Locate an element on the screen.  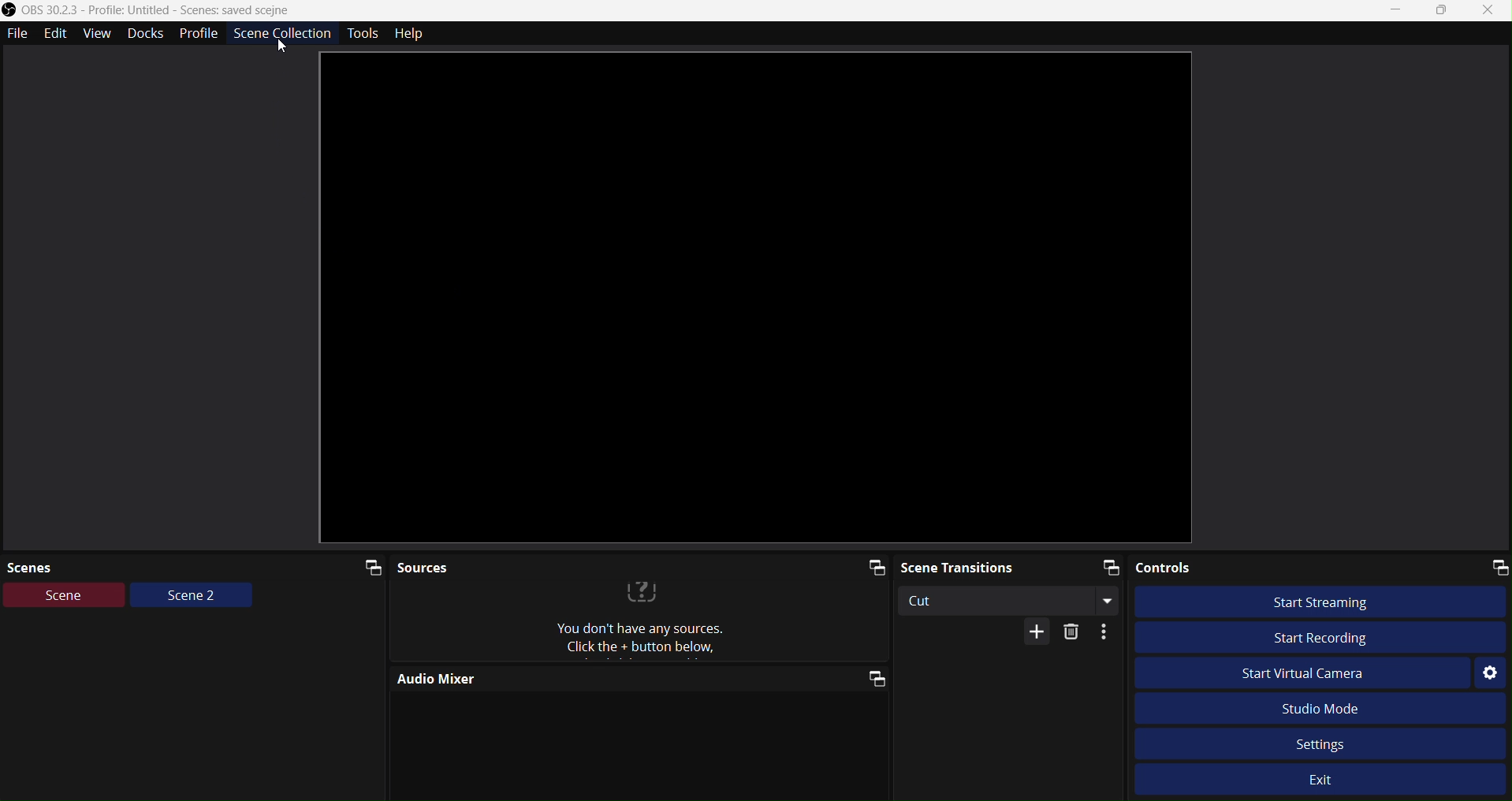
Docks is located at coordinates (145, 34).